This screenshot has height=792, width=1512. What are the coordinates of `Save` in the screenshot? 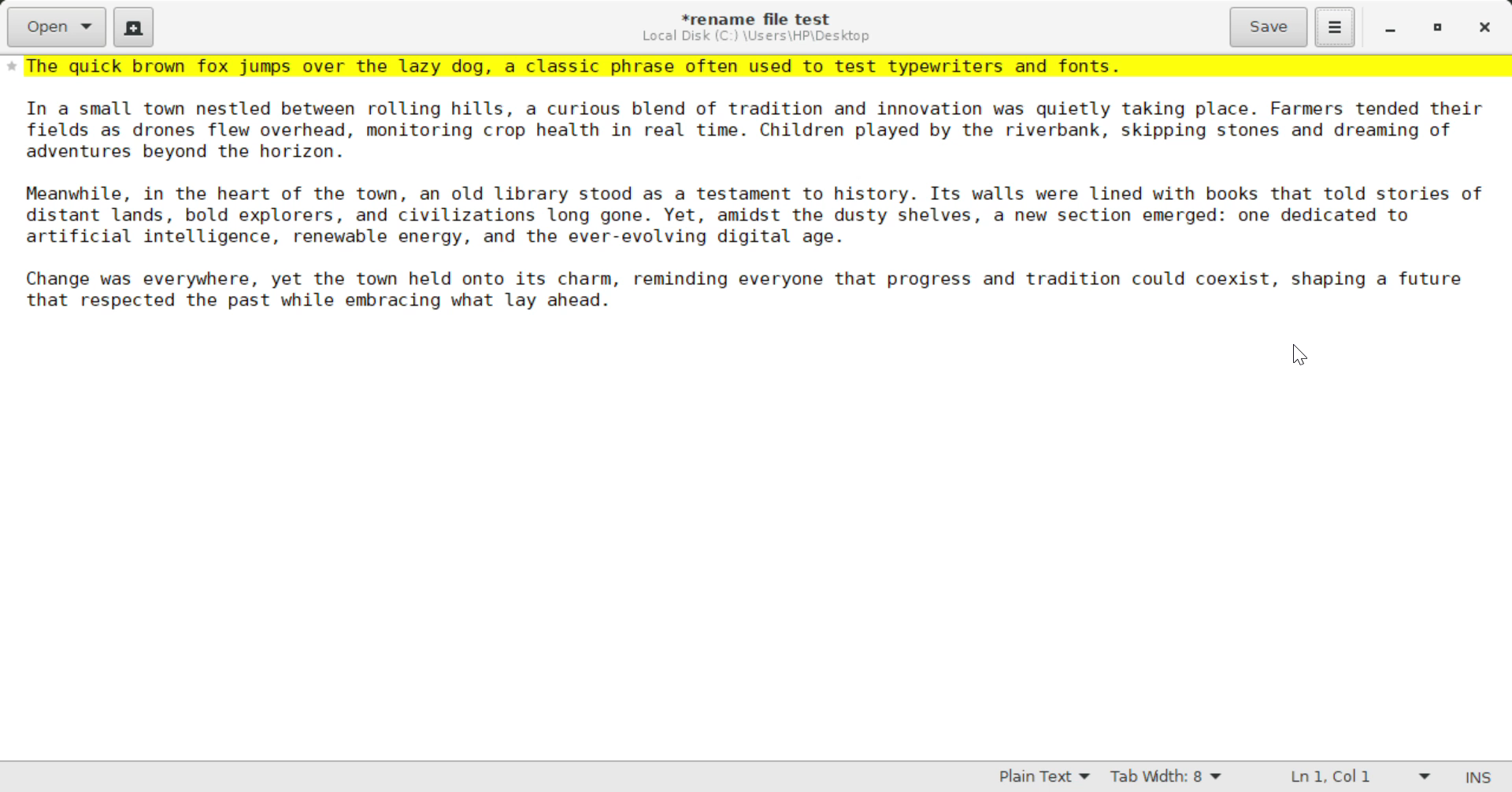 It's located at (1269, 28).